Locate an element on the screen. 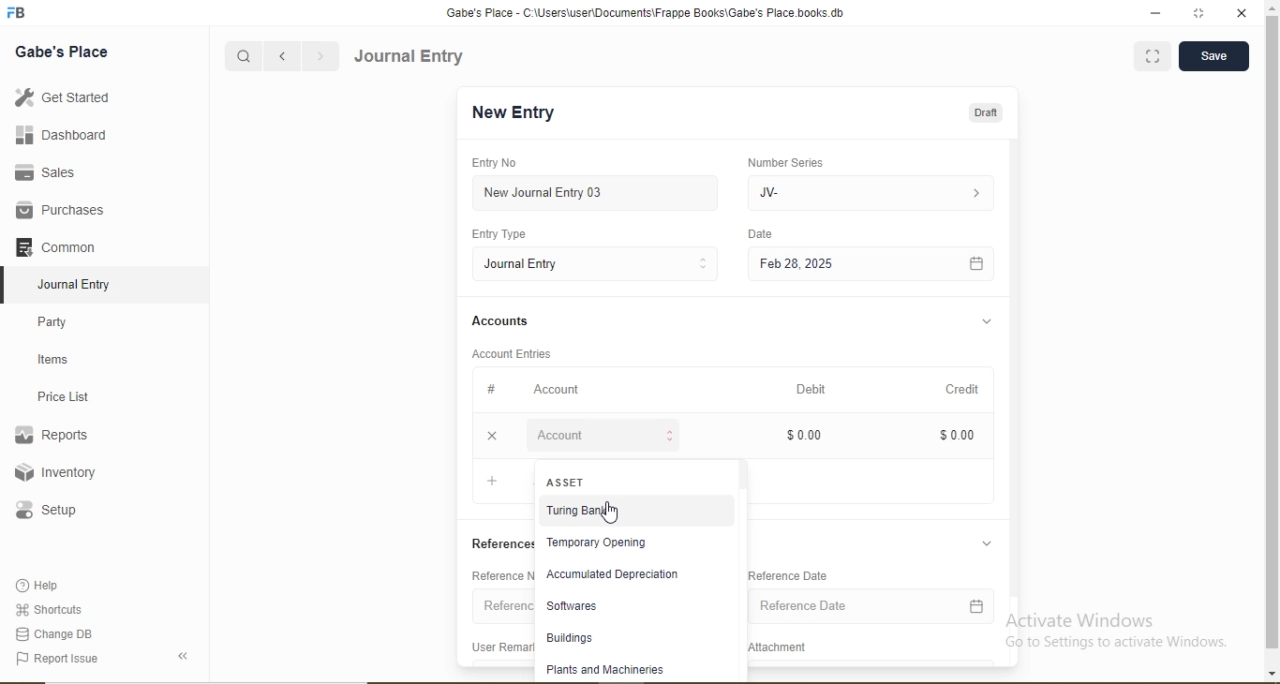  Remove is located at coordinates (492, 436).